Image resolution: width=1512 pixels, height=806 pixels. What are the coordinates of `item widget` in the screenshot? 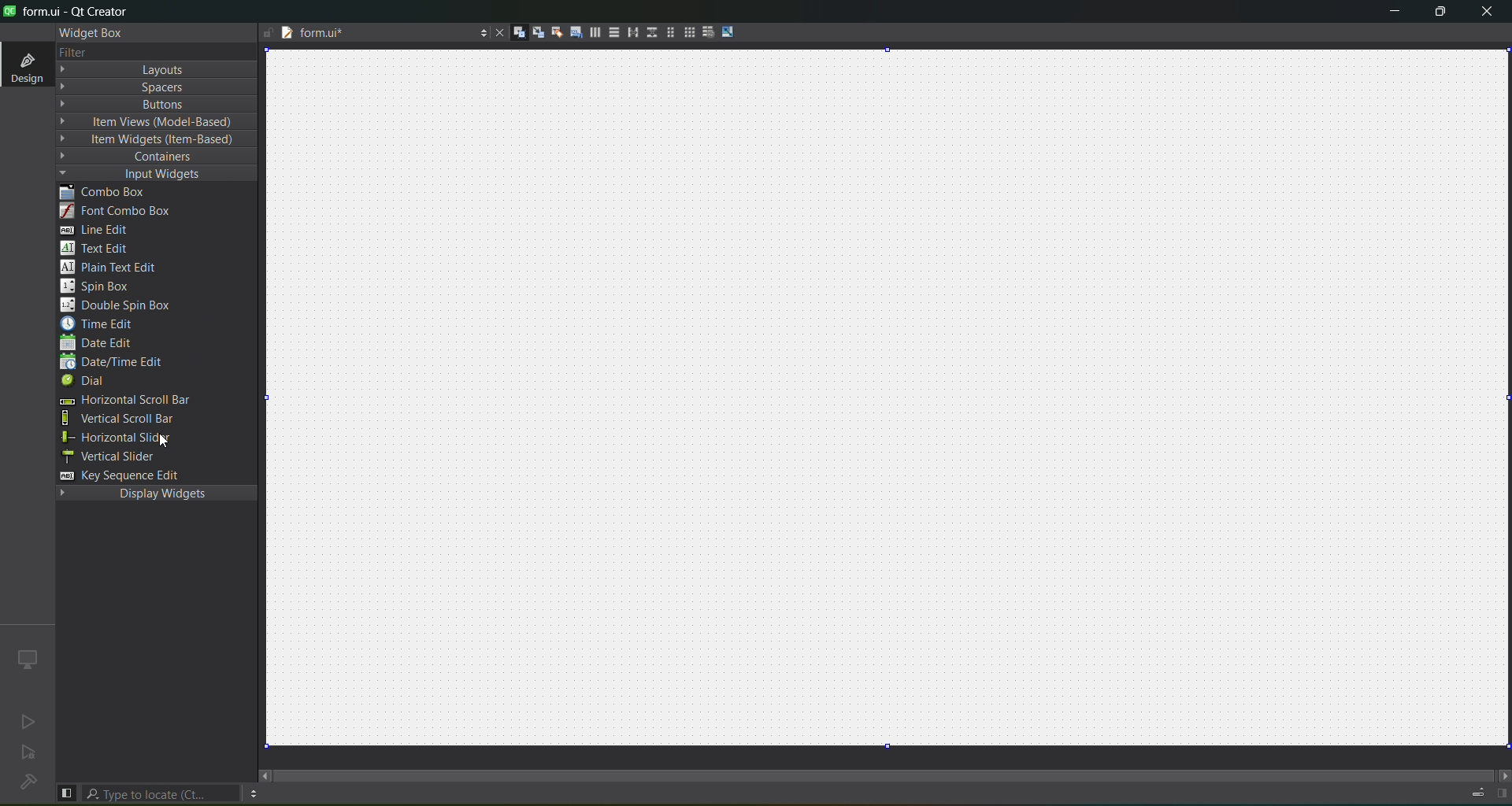 It's located at (150, 139).